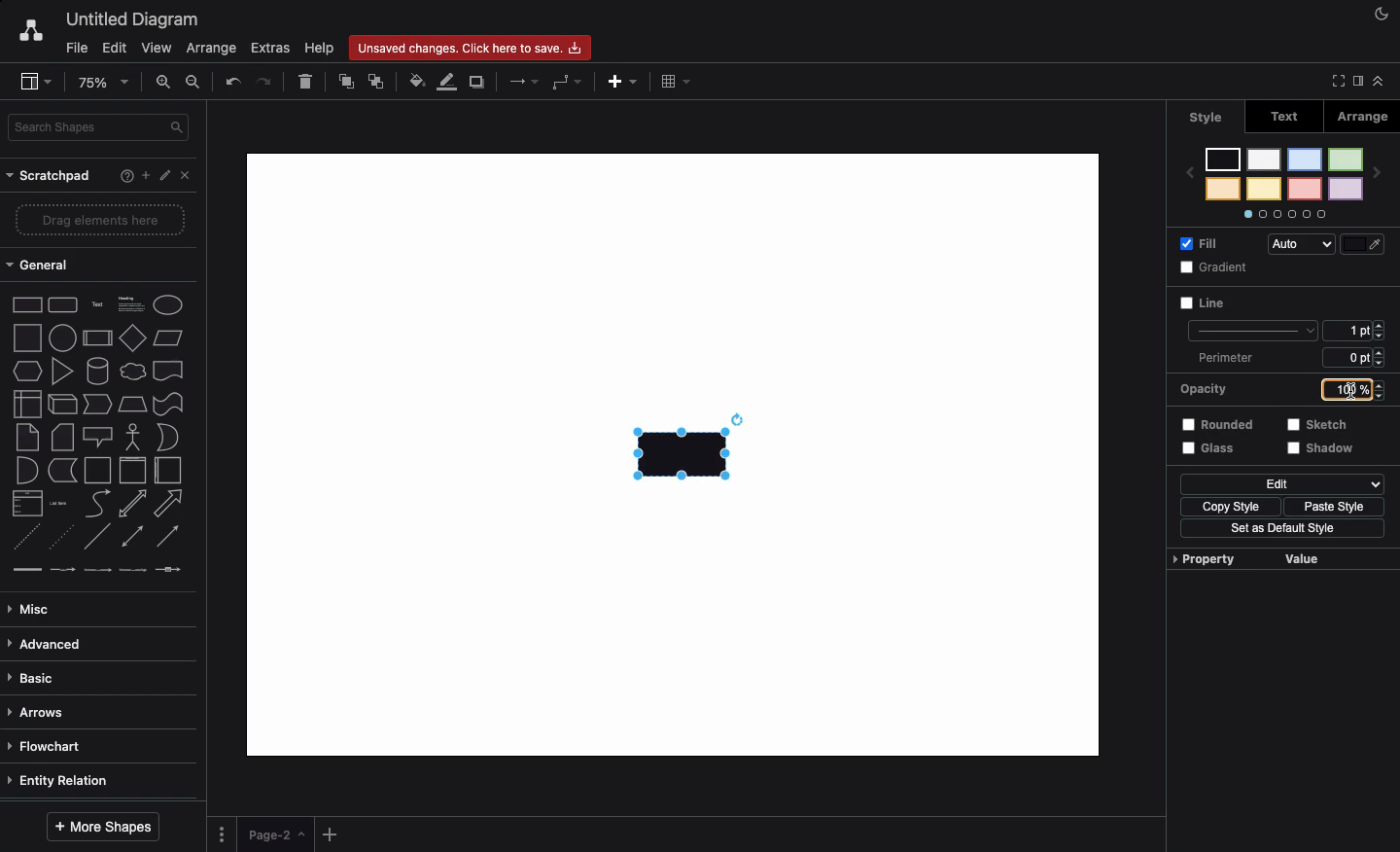  I want to click on Auto, so click(1302, 243).